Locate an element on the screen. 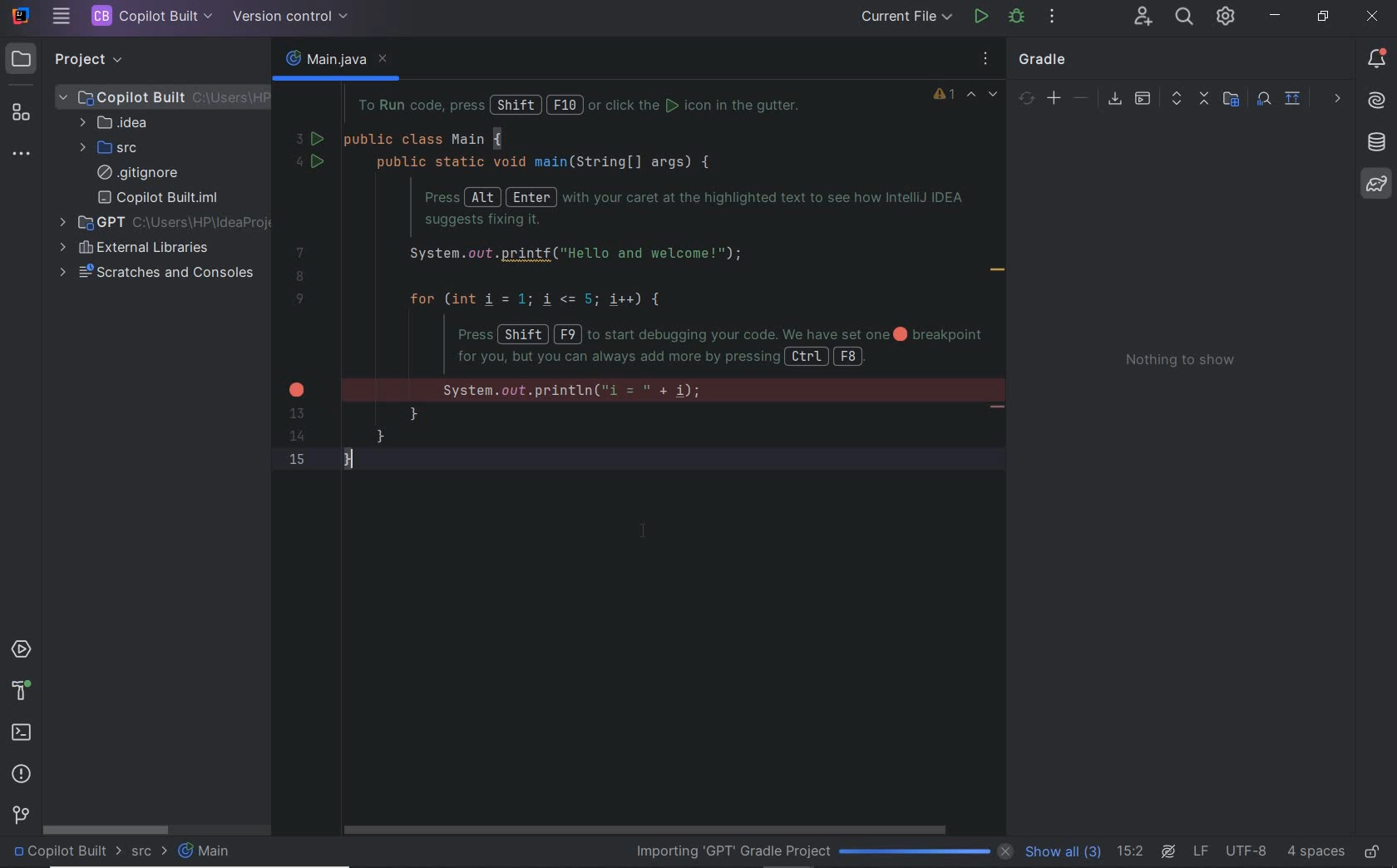 This screenshot has width=1397, height=868. terminal is located at coordinates (21, 732).